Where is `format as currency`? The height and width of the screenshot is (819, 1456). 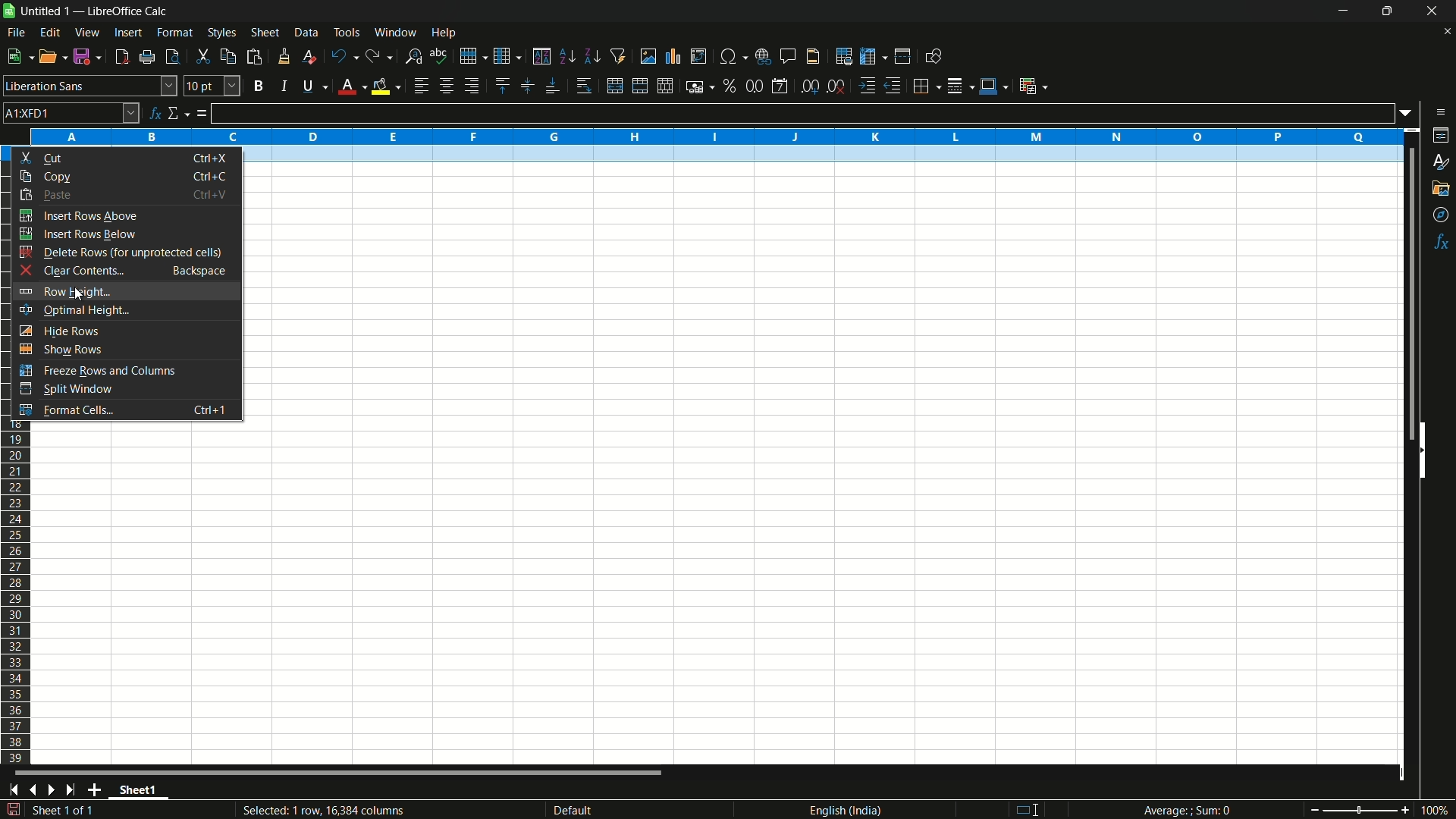
format as currency is located at coordinates (700, 86).